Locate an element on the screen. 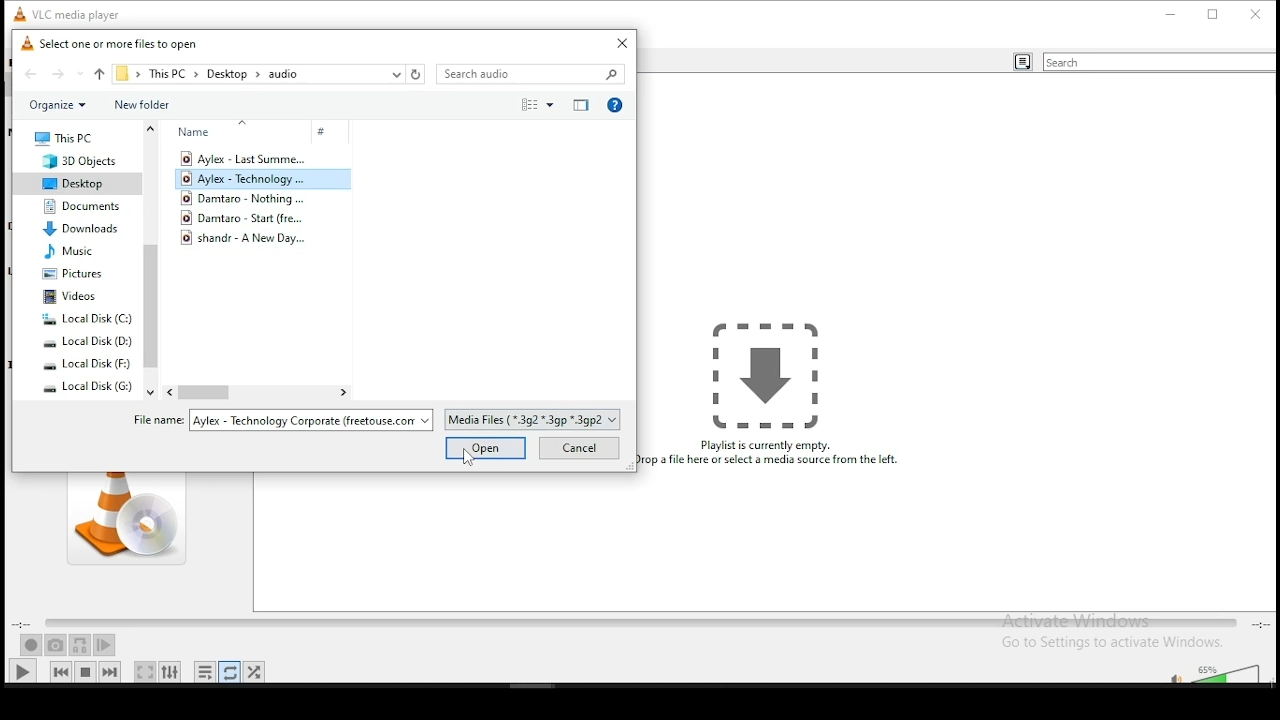 This screenshot has height=720, width=1280. close window is located at coordinates (619, 44).